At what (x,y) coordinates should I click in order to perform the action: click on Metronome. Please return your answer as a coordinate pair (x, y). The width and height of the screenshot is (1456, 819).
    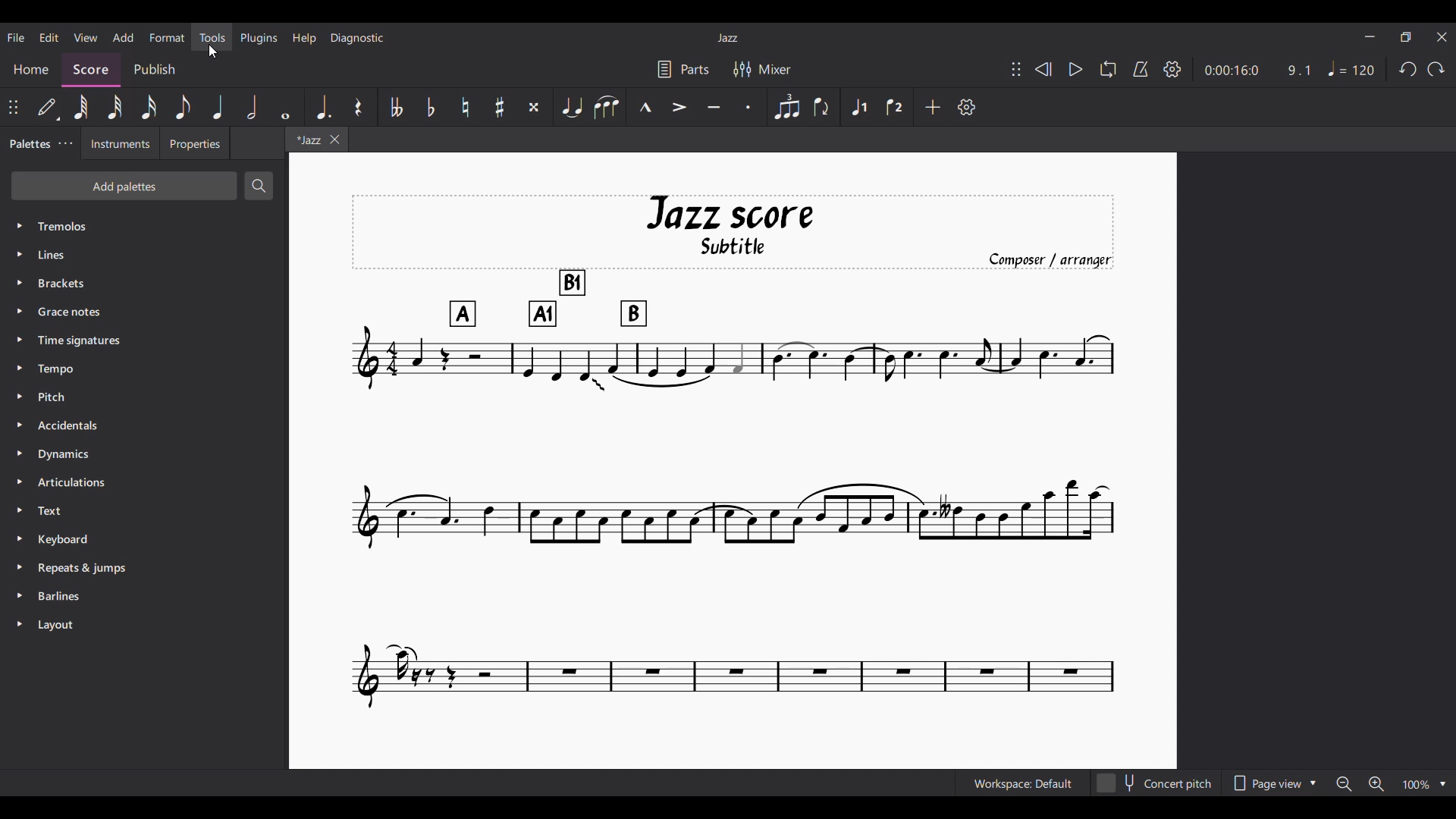
    Looking at the image, I should click on (1141, 69).